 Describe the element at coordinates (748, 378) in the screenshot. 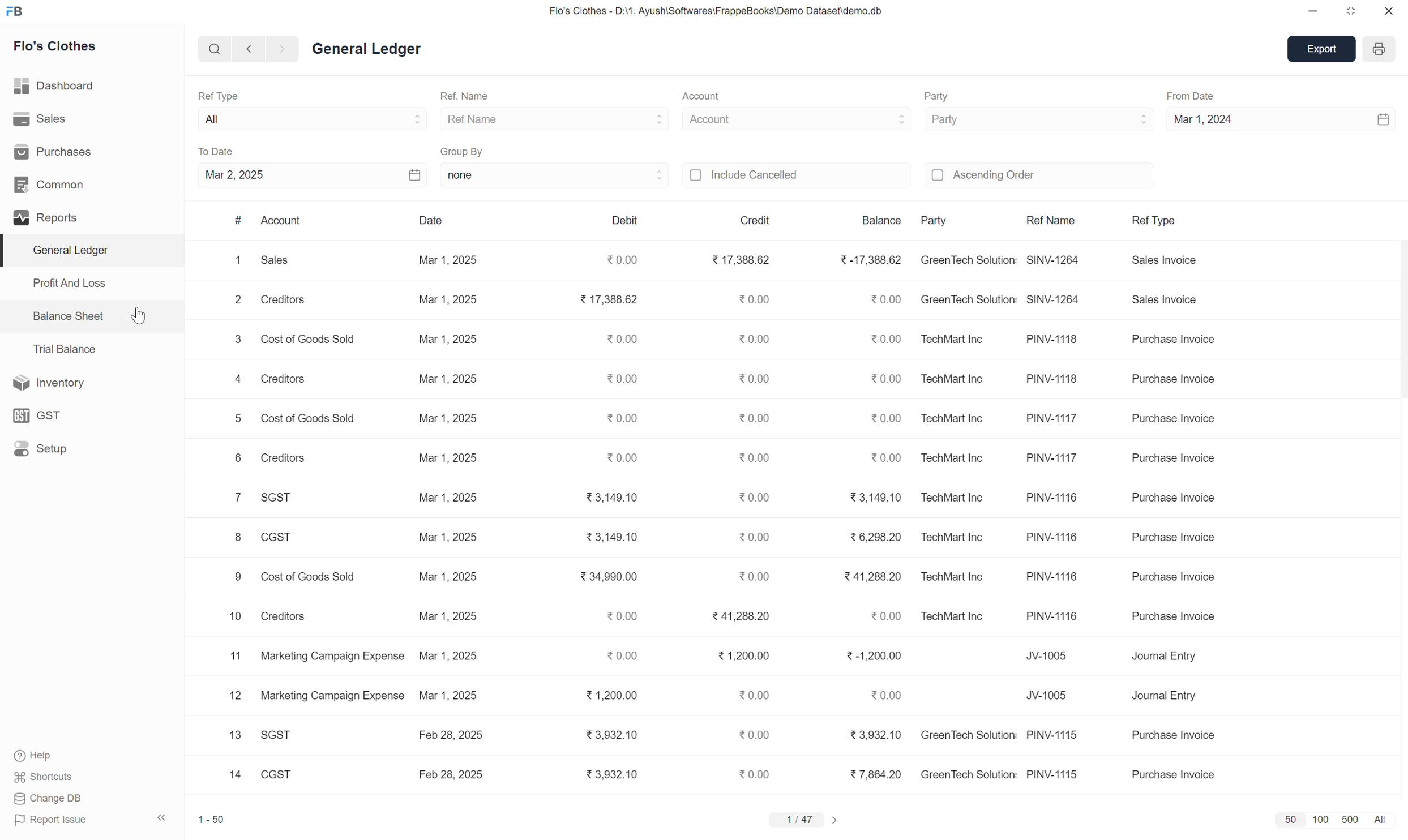

I see `0.00` at that location.